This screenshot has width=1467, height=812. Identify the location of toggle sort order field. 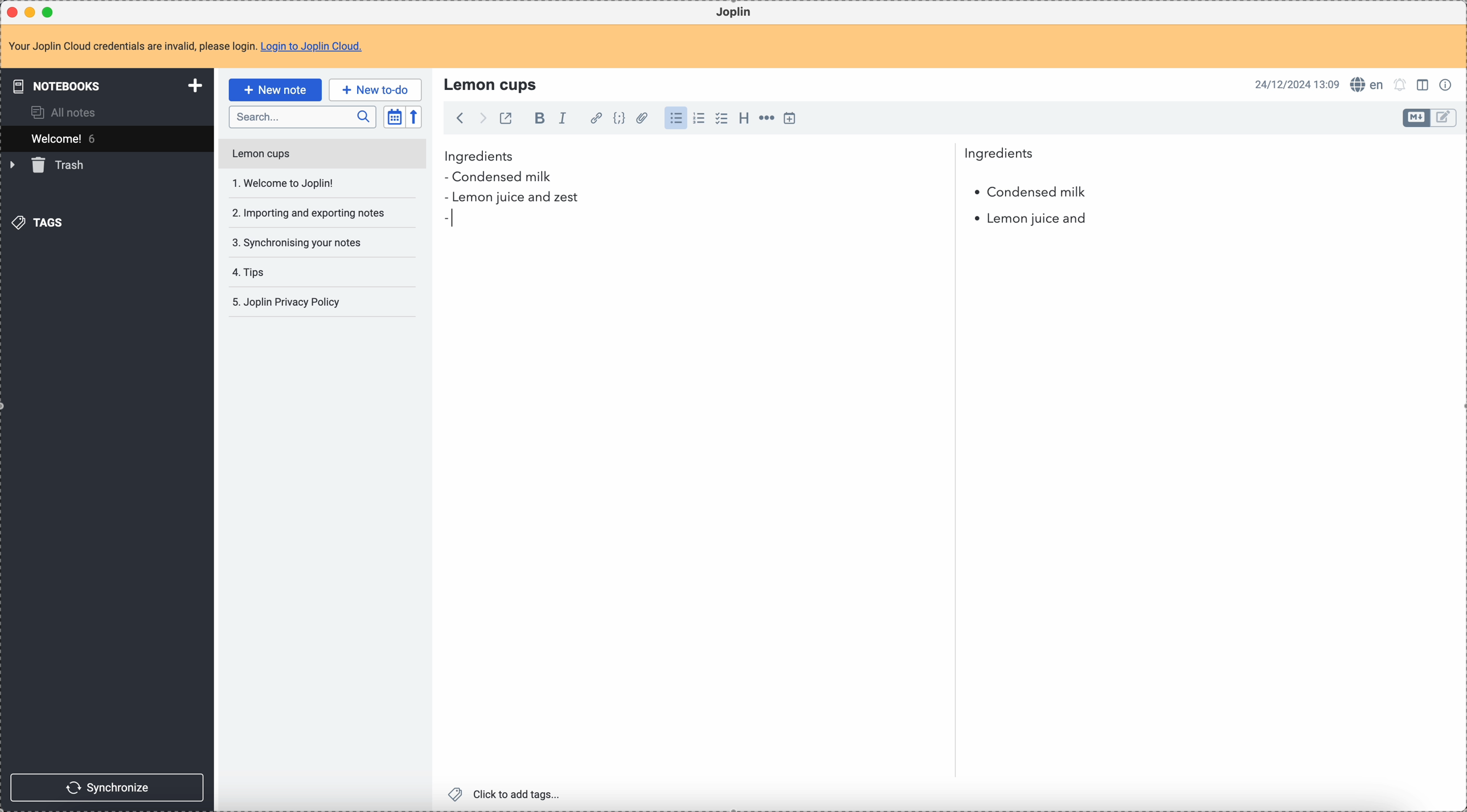
(394, 117).